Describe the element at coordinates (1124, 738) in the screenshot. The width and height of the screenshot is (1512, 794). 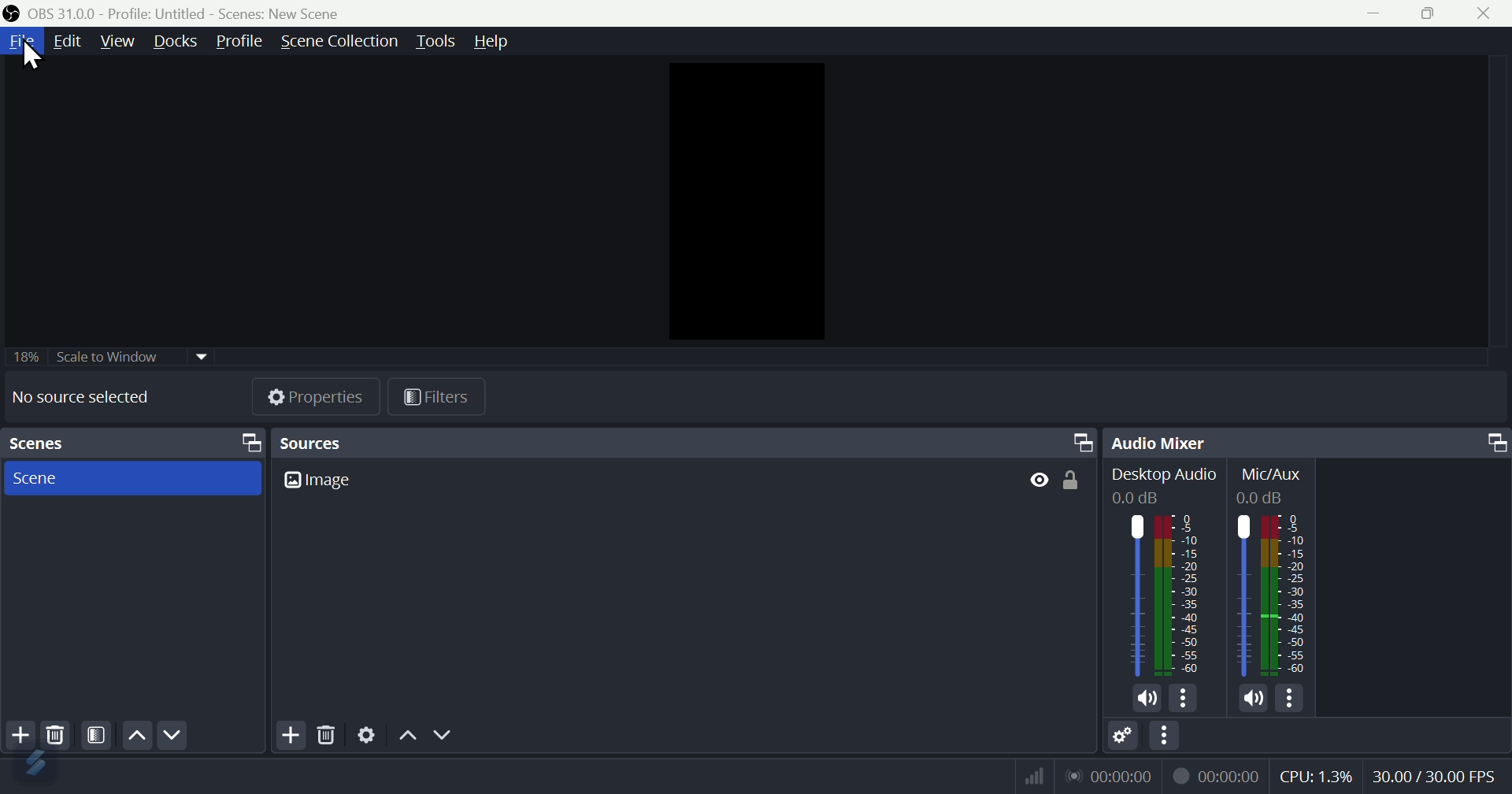
I see `Settings` at that location.